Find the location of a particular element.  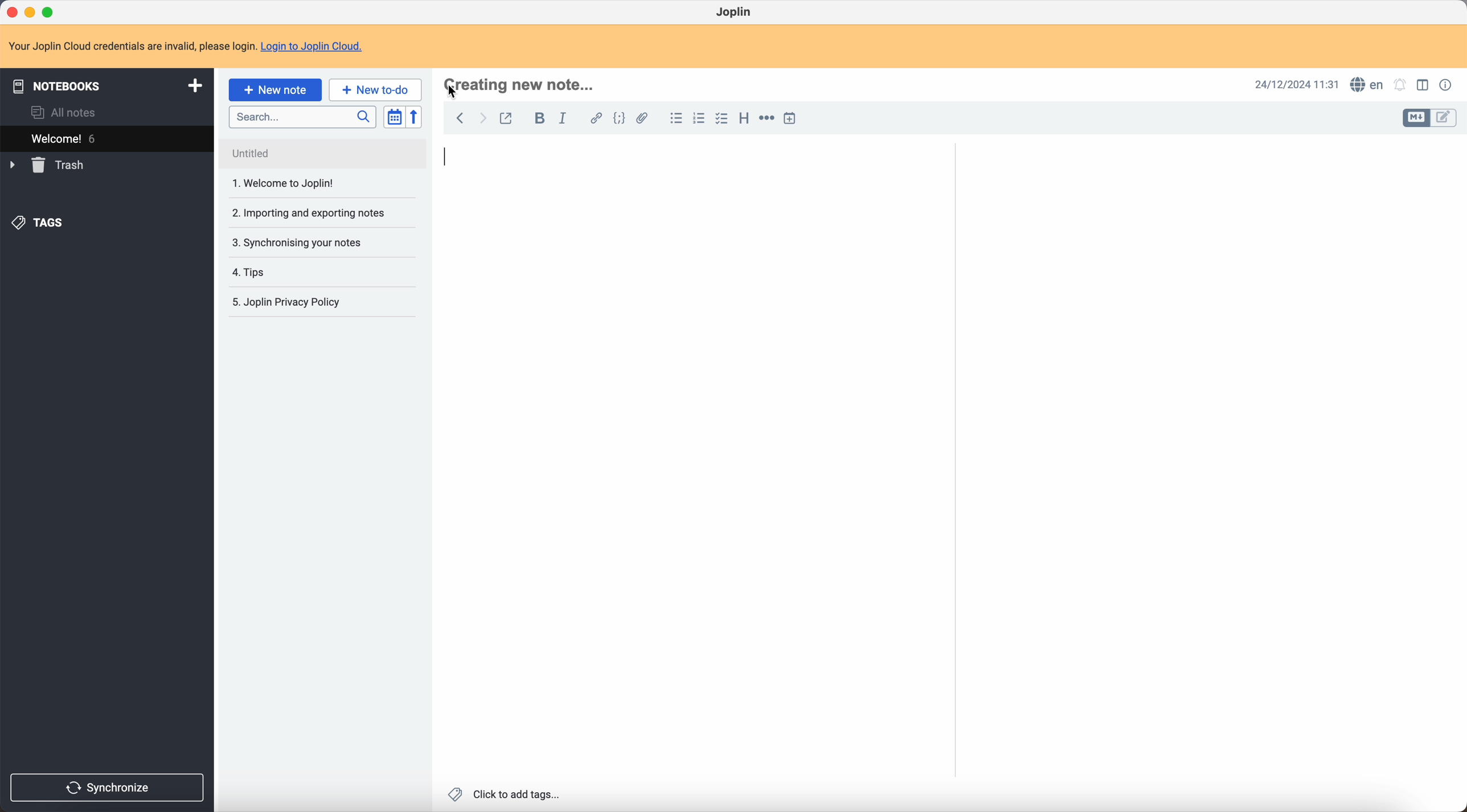

tags is located at coordinates (40, 223).